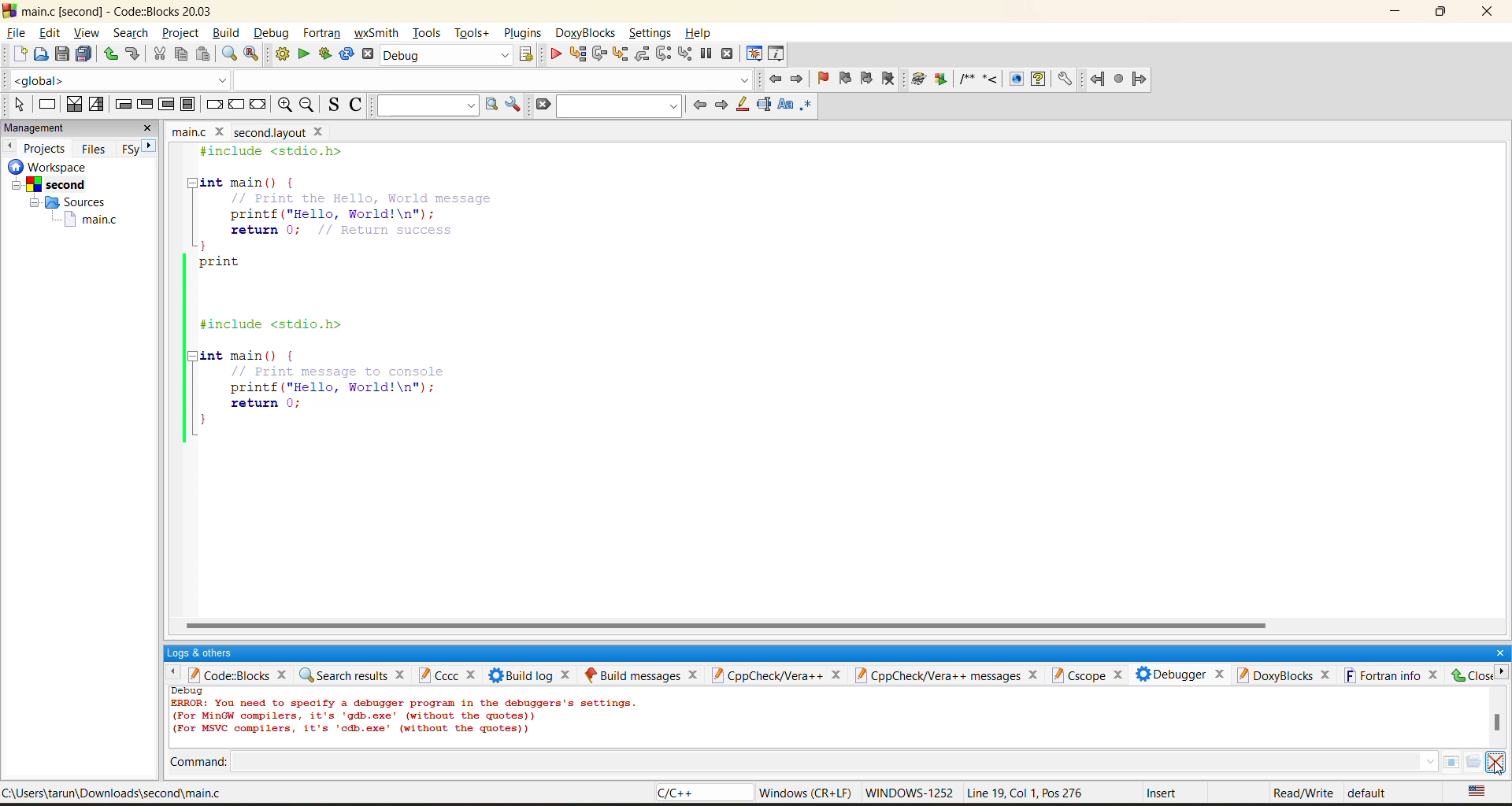 The width and height of the screenshot is (1512, 806). I want to click on stop debugger, so click(726, 53).